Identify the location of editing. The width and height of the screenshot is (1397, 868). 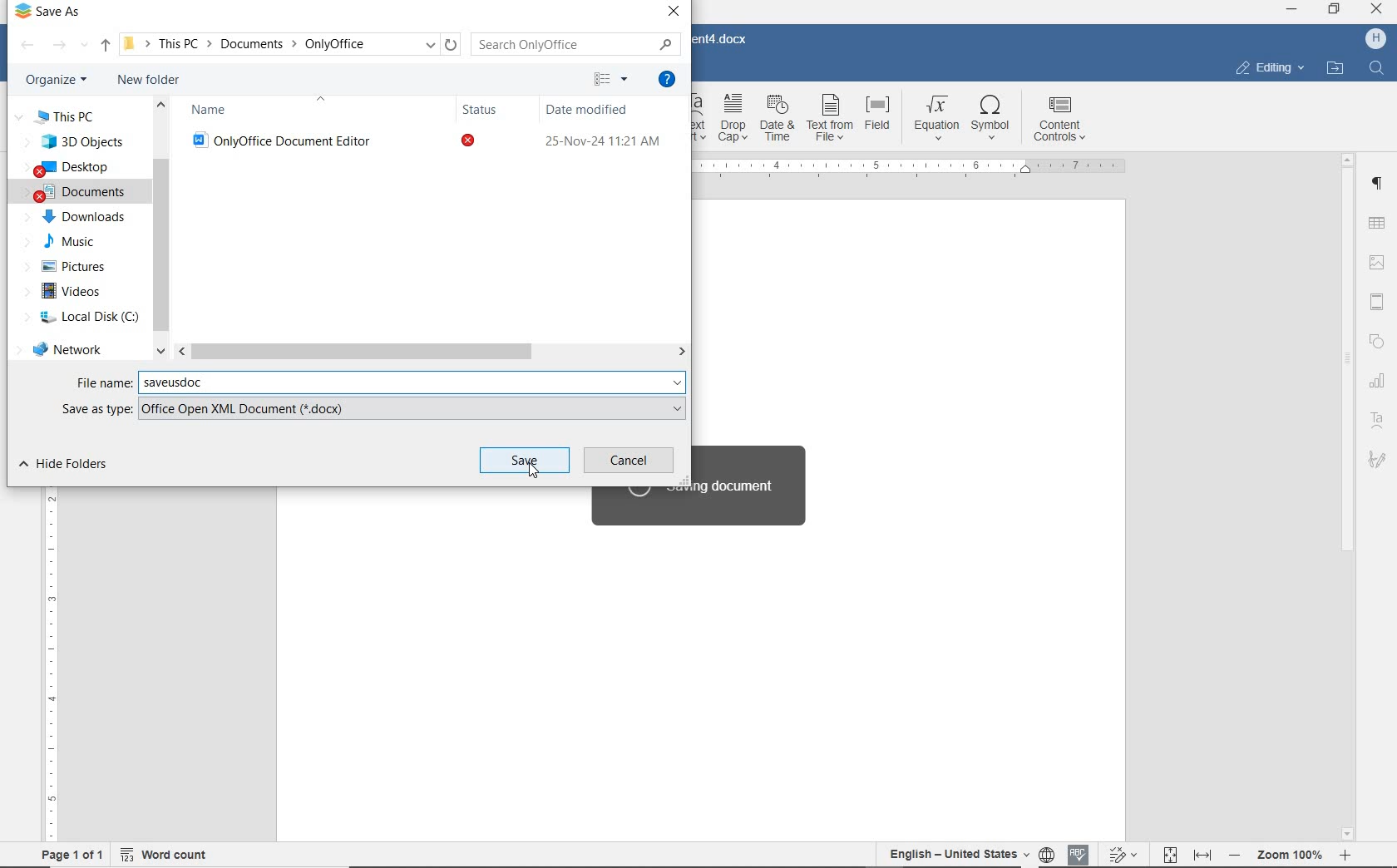
(1271, 67).